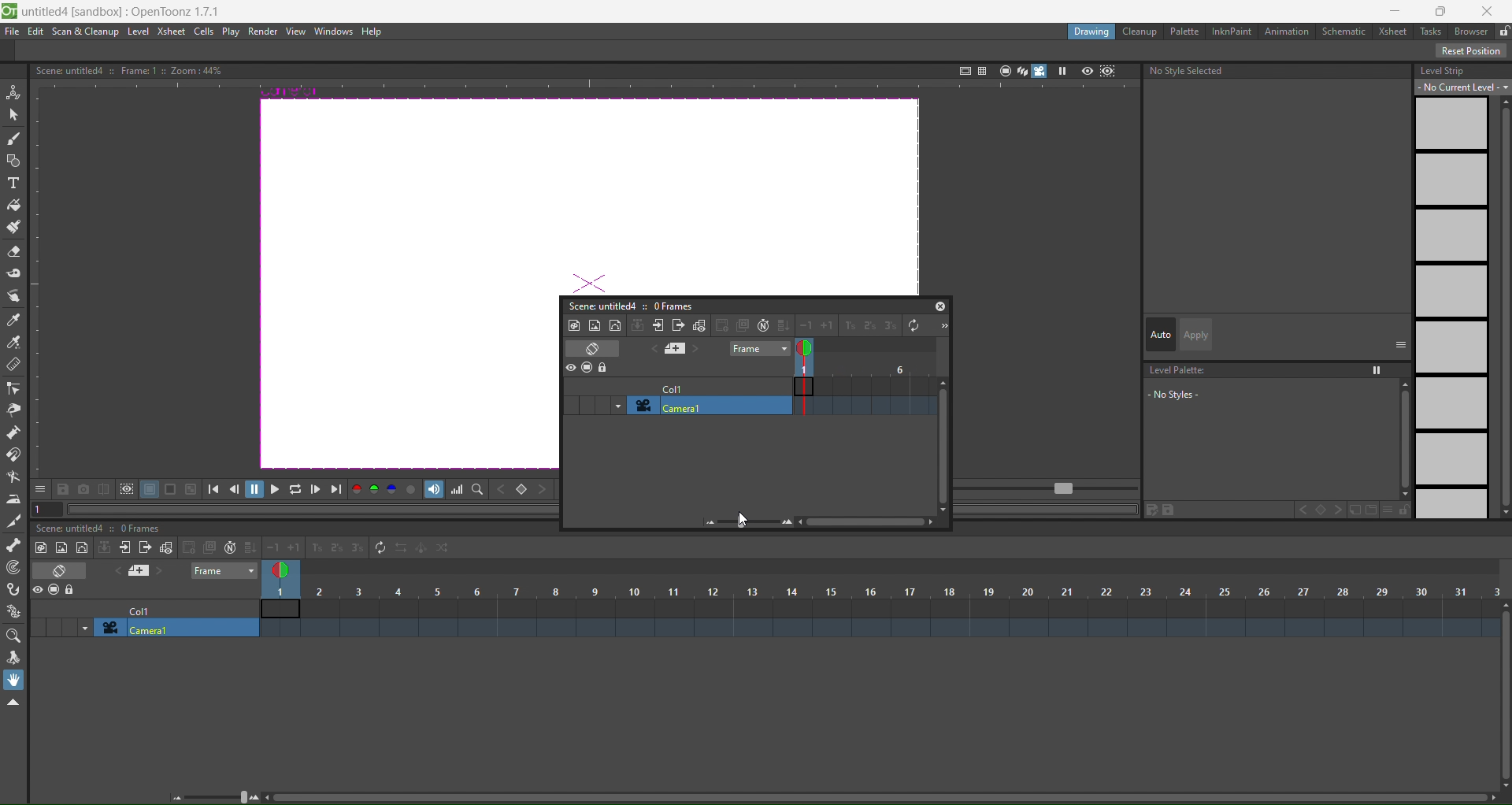 Image resolution: width=1512 pixels, height=805 pixels. What do you see at coordinates (13, 703) in the screenshot?
I see `hide toolbar` at bounding box center [13, 703].